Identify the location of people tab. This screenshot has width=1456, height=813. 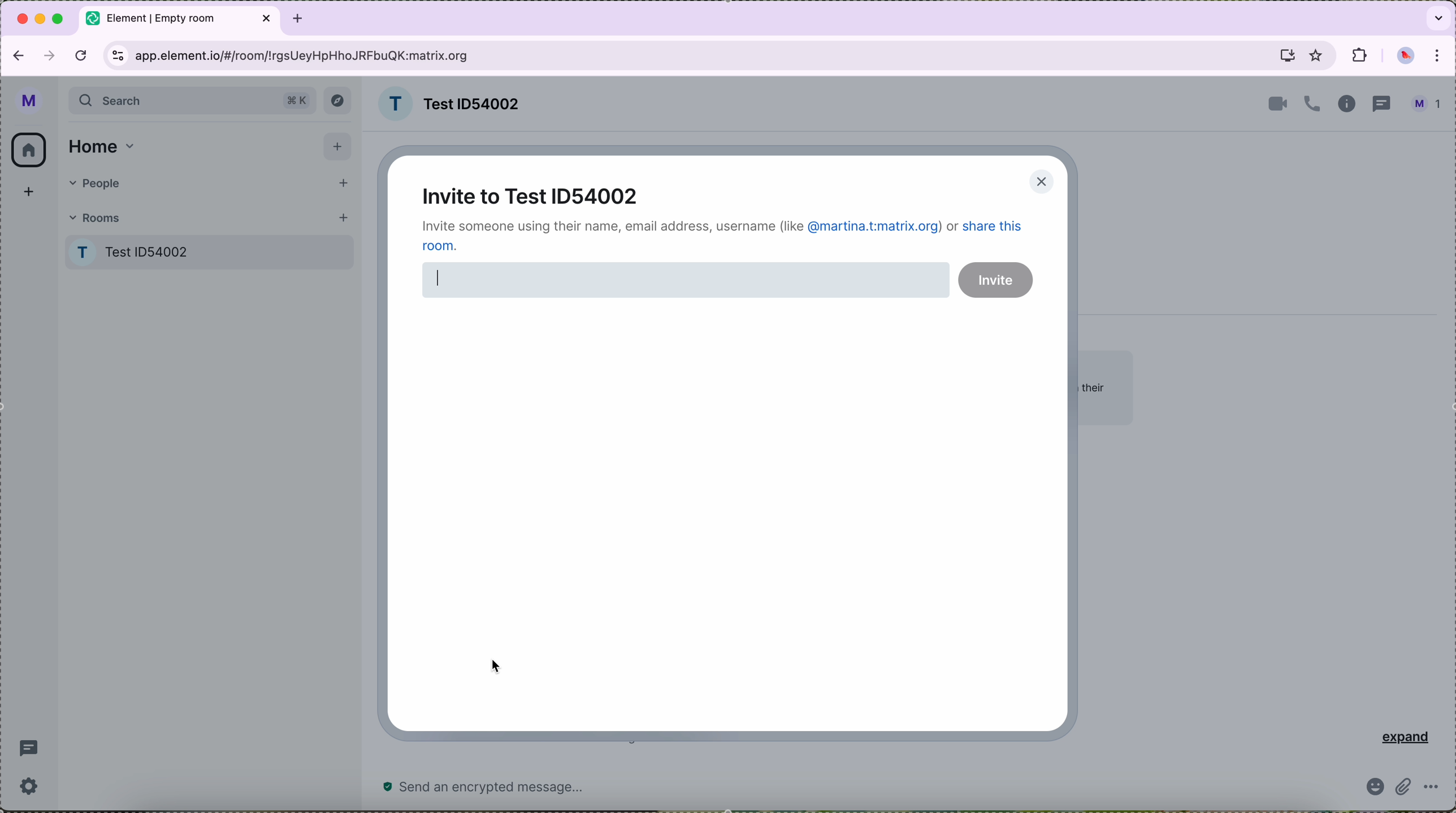
(207, 181).